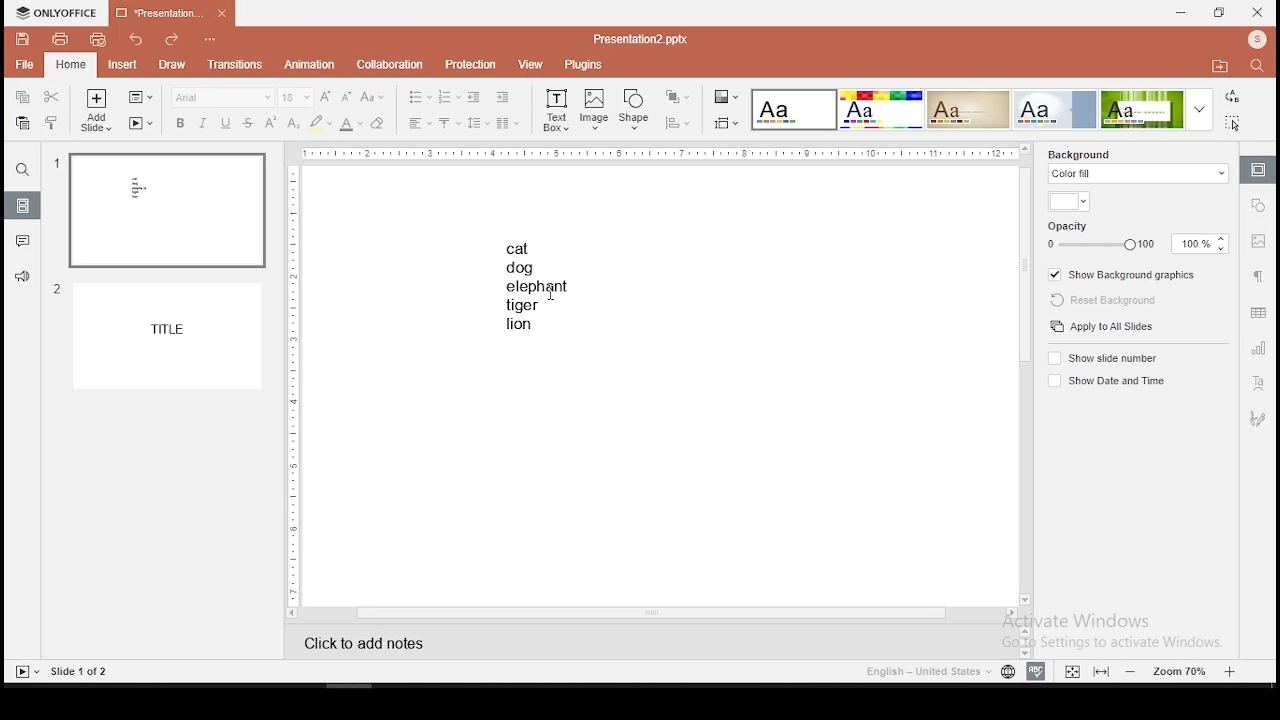  I want to click on numbering, so click(450, 97).